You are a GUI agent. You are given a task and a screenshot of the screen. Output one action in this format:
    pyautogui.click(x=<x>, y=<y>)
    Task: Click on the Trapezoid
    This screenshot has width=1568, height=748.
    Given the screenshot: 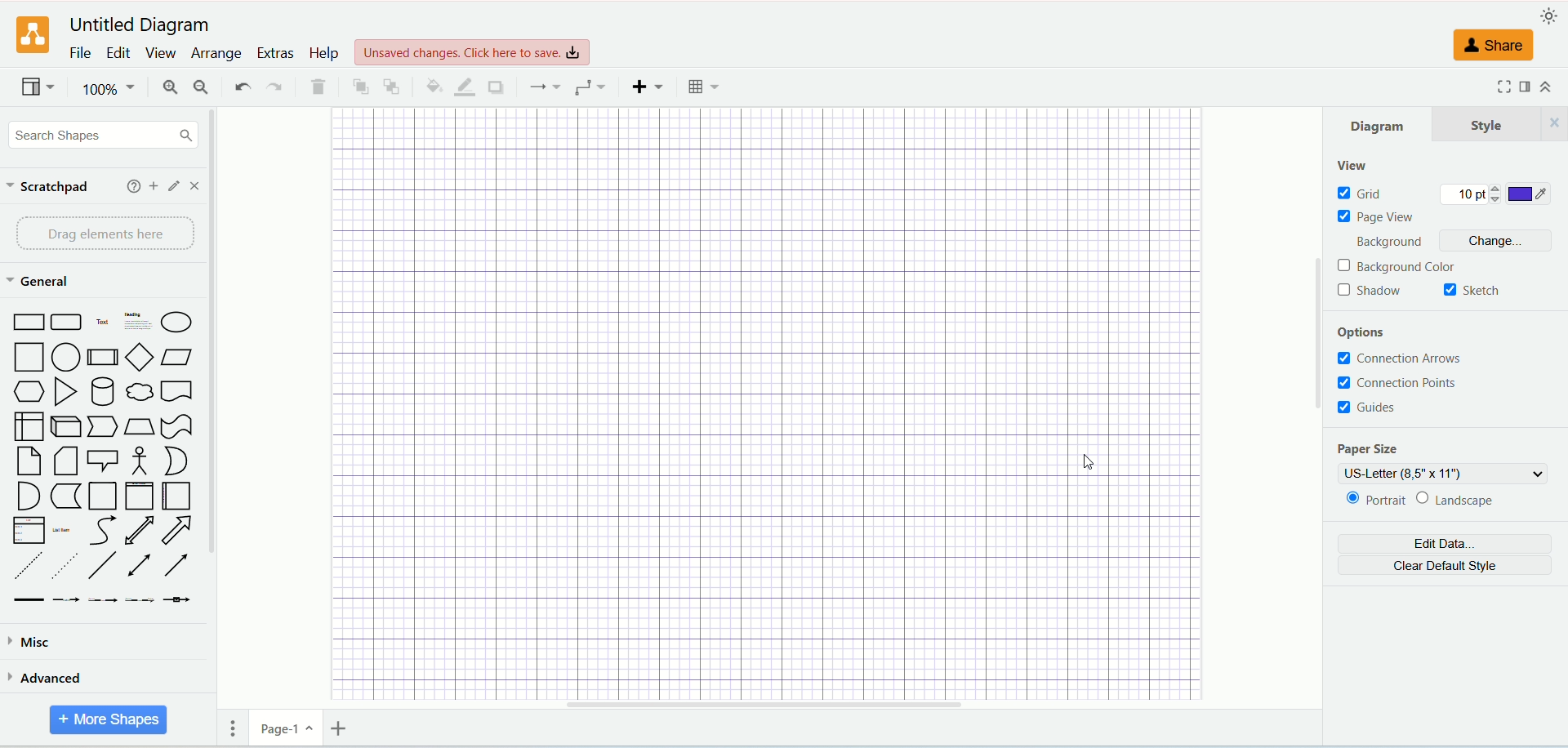 What is the action you would take?
    pyautogui.click(x=139, y=428)
    